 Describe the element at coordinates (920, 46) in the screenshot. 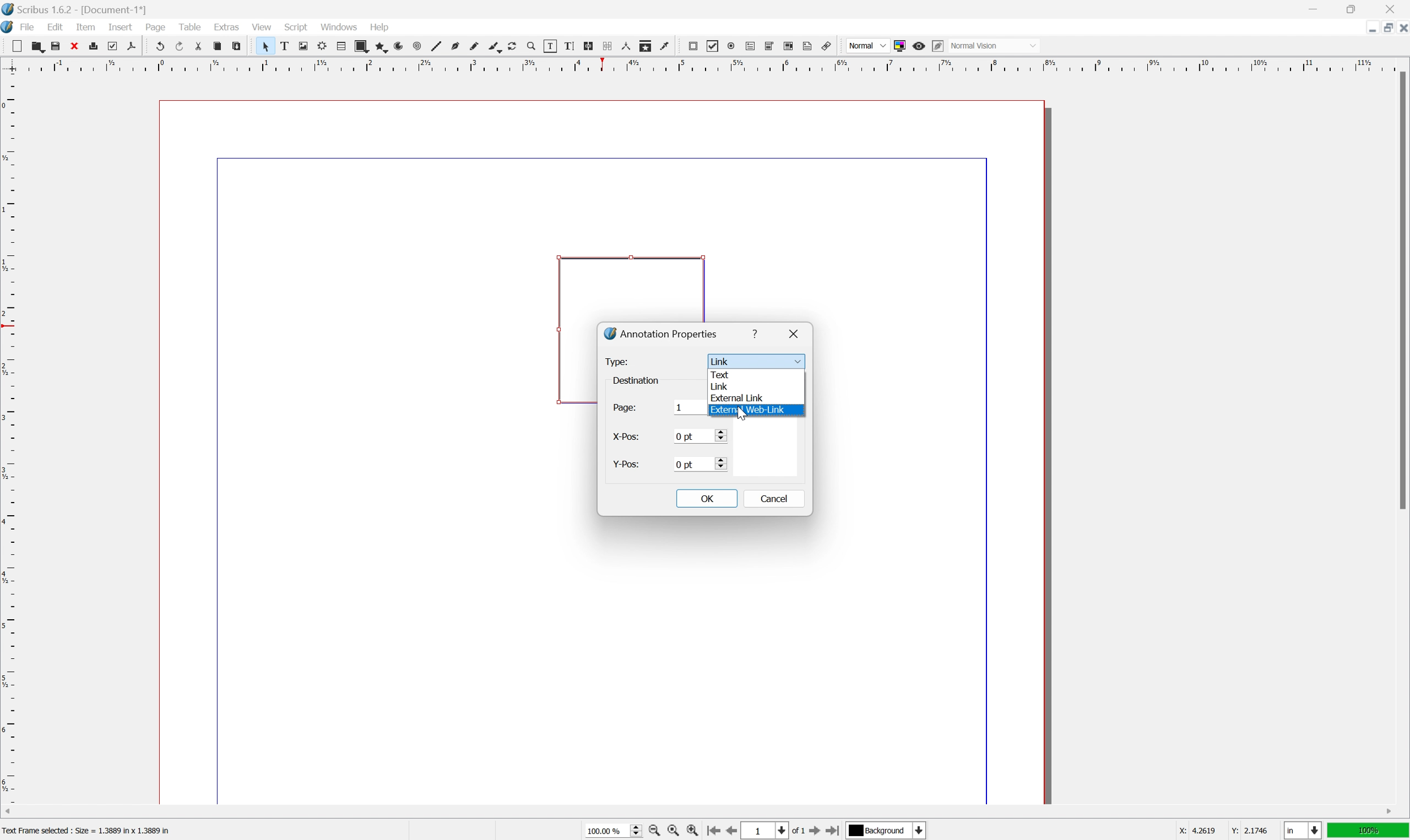

I see `preview mode` at that location.